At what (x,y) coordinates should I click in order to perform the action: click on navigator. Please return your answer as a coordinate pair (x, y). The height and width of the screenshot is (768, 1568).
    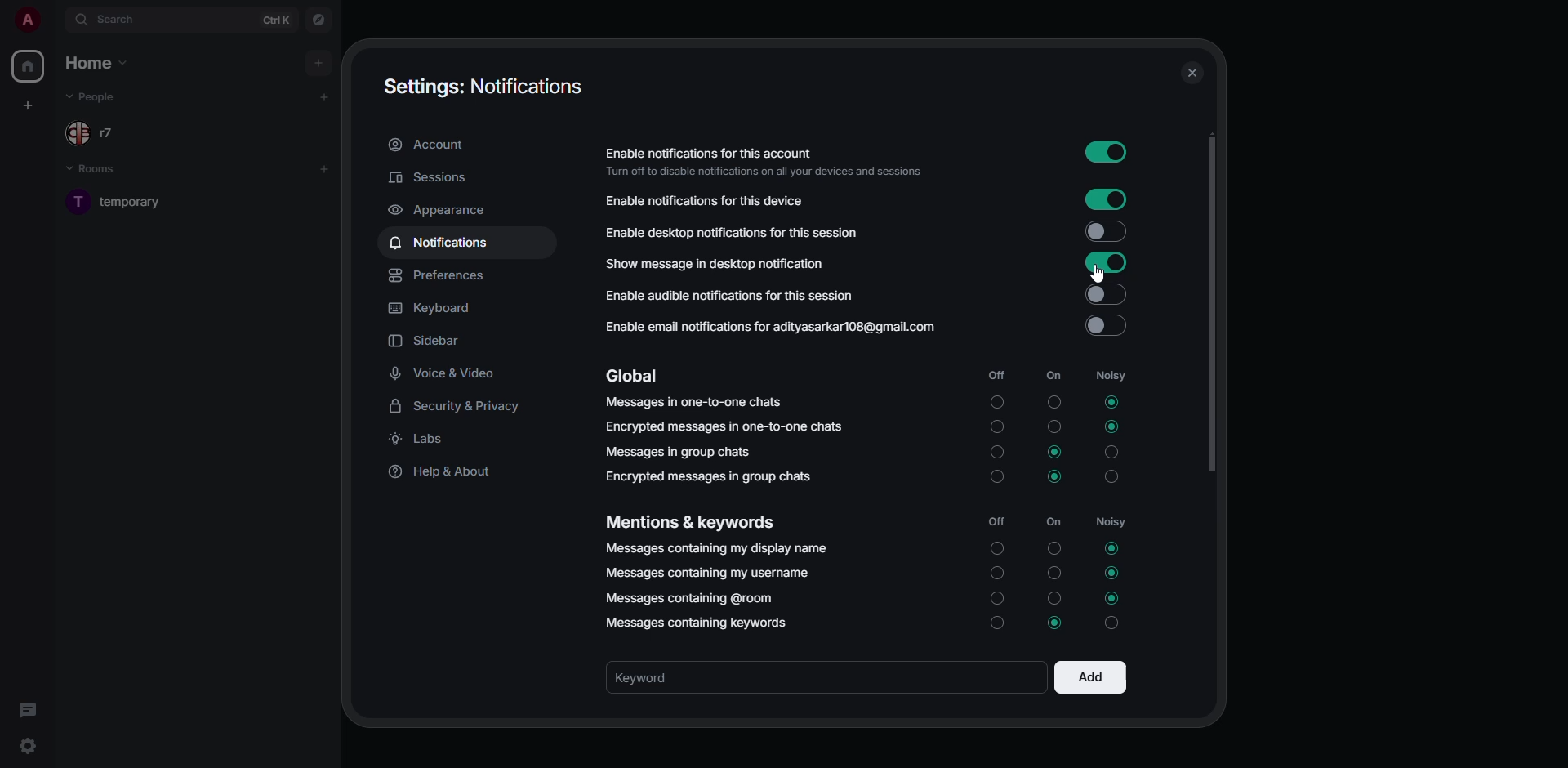
    Looking at the image, I should click on (317, 19).